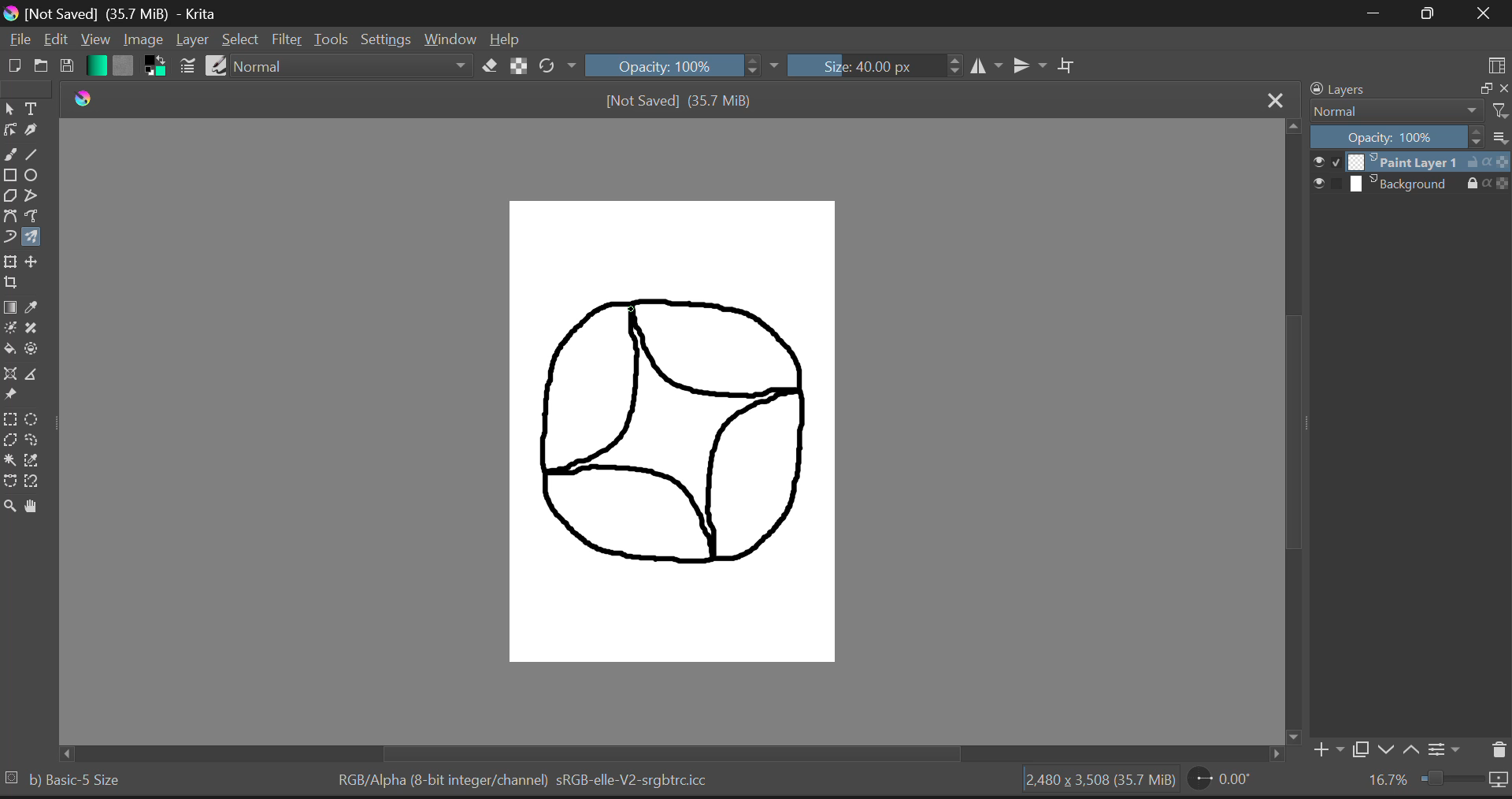  What do you see at coordinates (682, 65) in the screenshot?
I see `Opacity 100%` at bounding box center [682, 65].